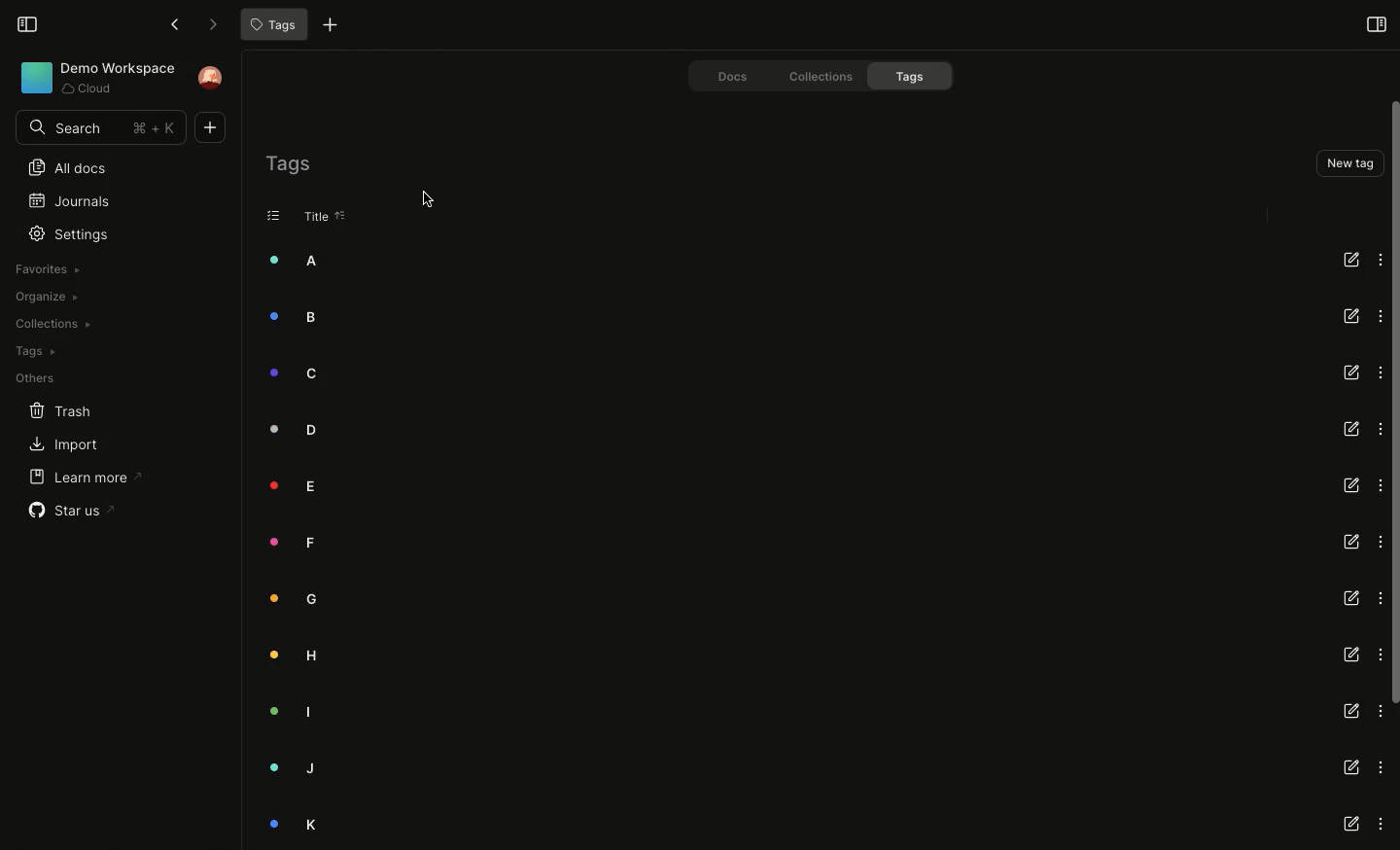  Describe the element at coordinates (1380, 710) in the screenshot. I see `Options` at that location.